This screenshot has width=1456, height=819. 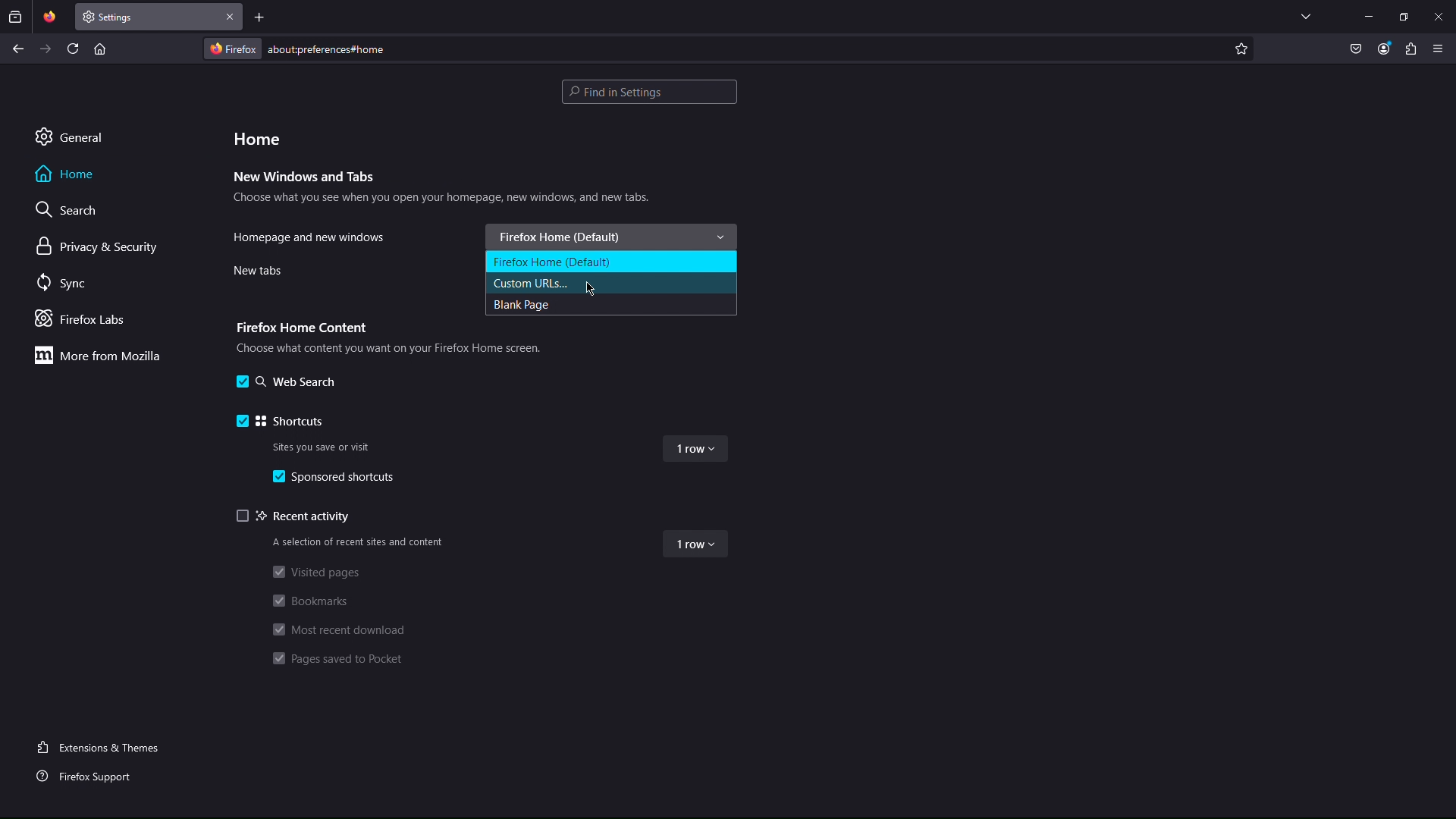 I want to click on Refresh, so click(x=74, y=48).